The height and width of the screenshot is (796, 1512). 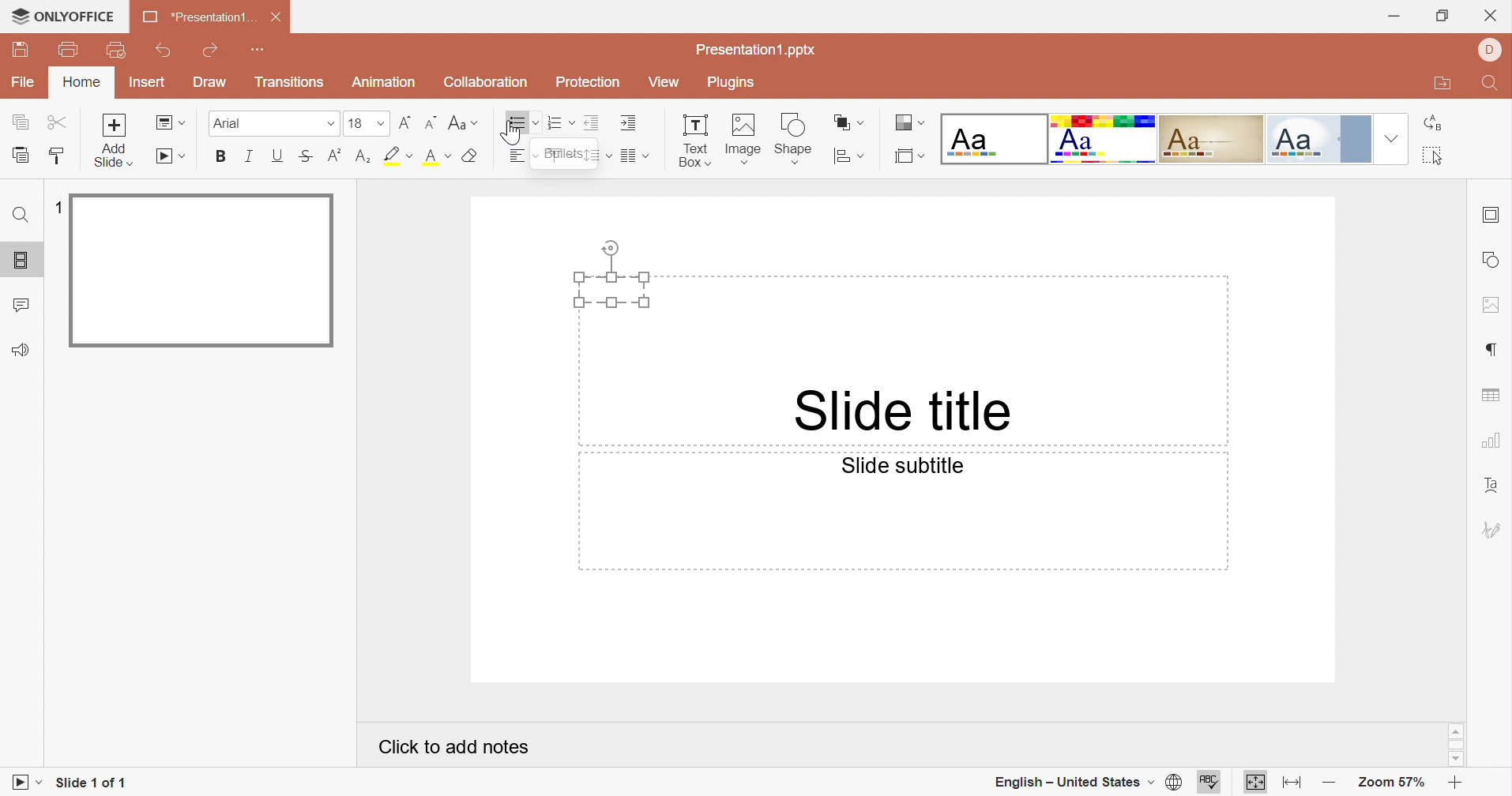 I want to click on Superscript / subscript, so click(x=439, y=157).